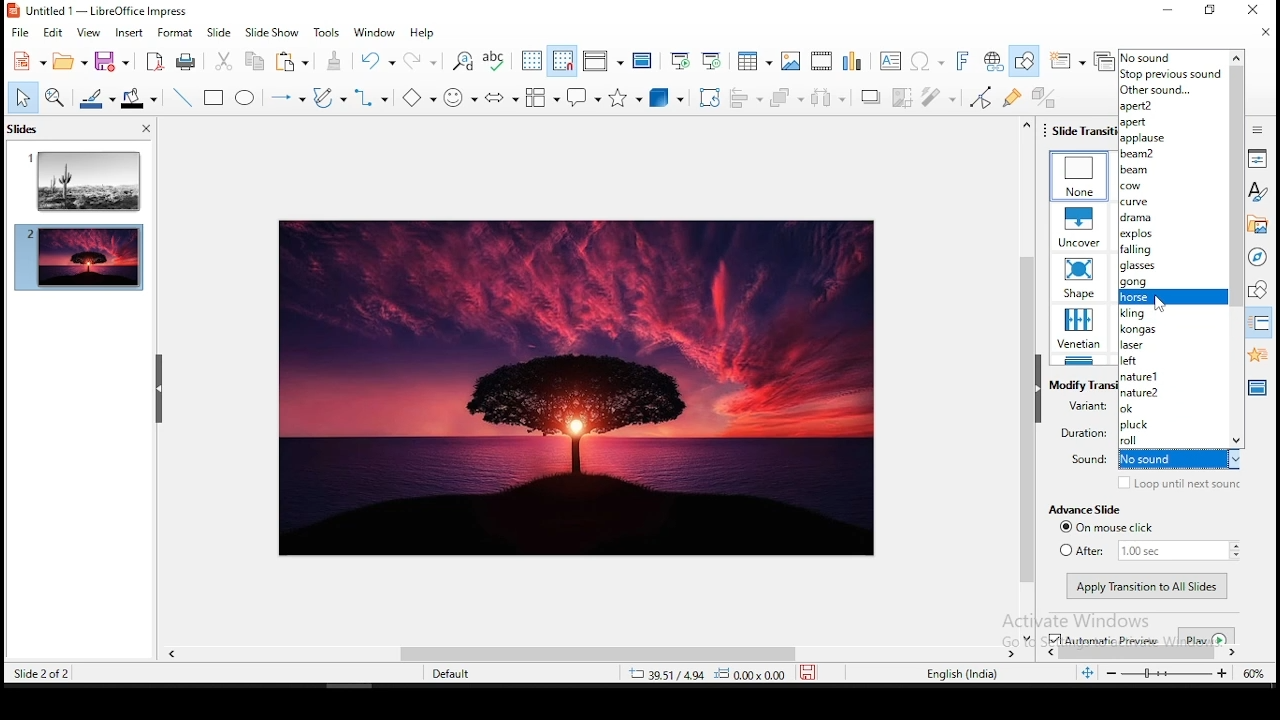 This screenshot has width=1280, height=720. I want to click on special characters, so click(926, 63).